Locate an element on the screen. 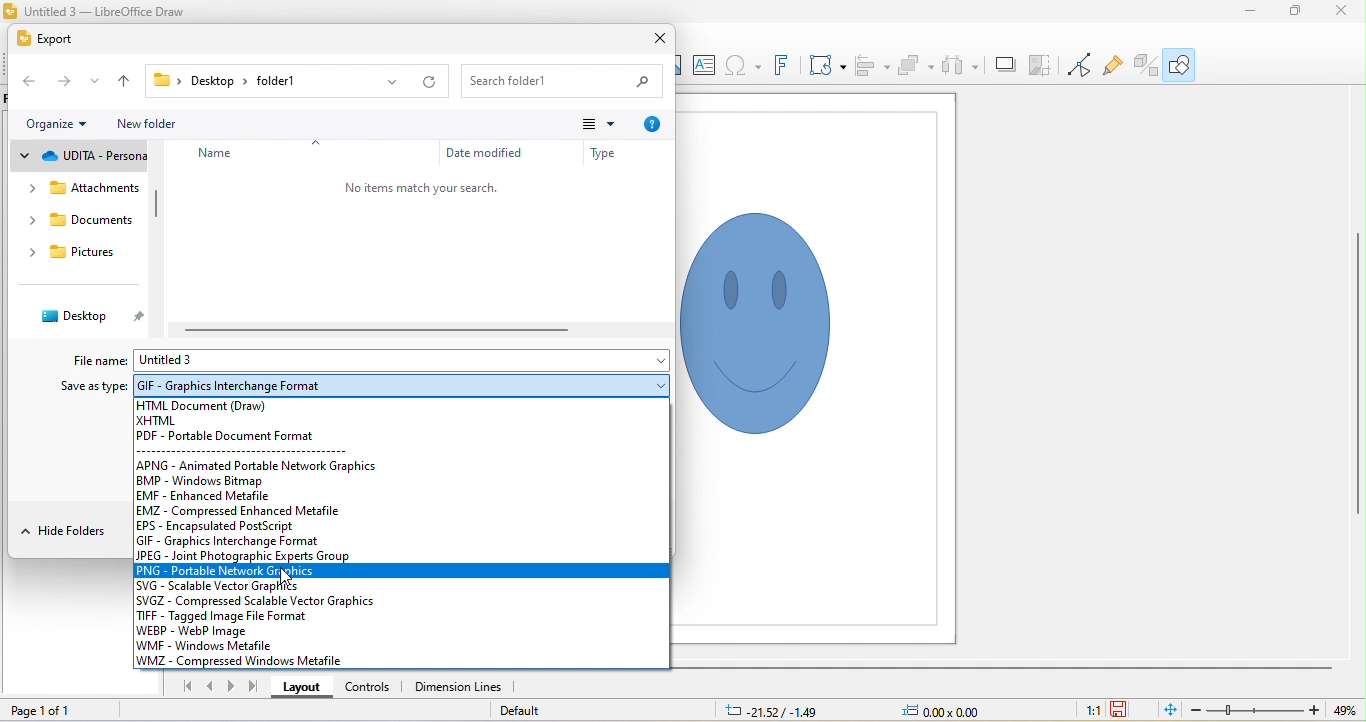  font work text is located at coordinates (781, 67).